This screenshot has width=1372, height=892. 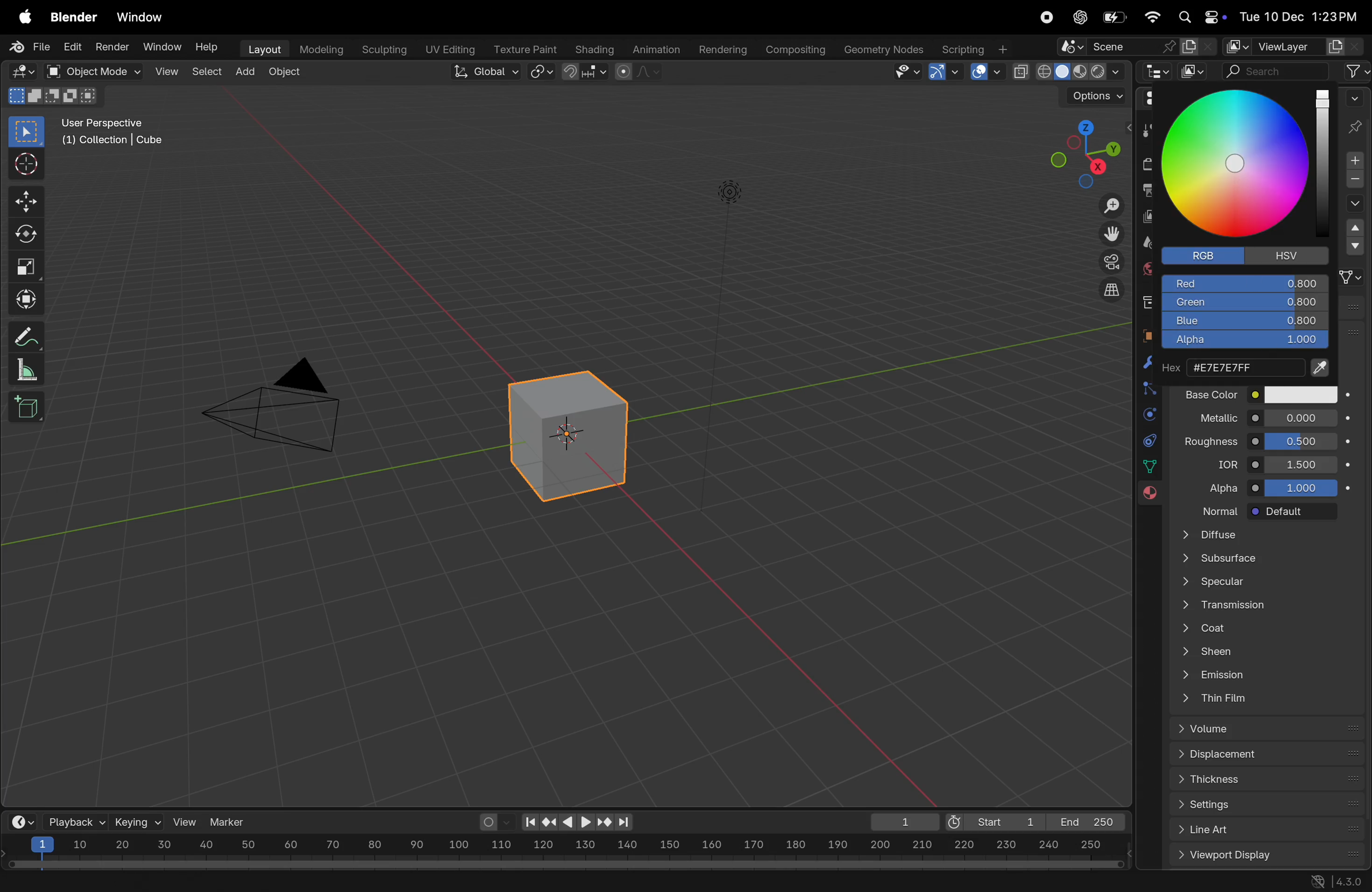 I want to click on physics, so click(x=1148, y=415).